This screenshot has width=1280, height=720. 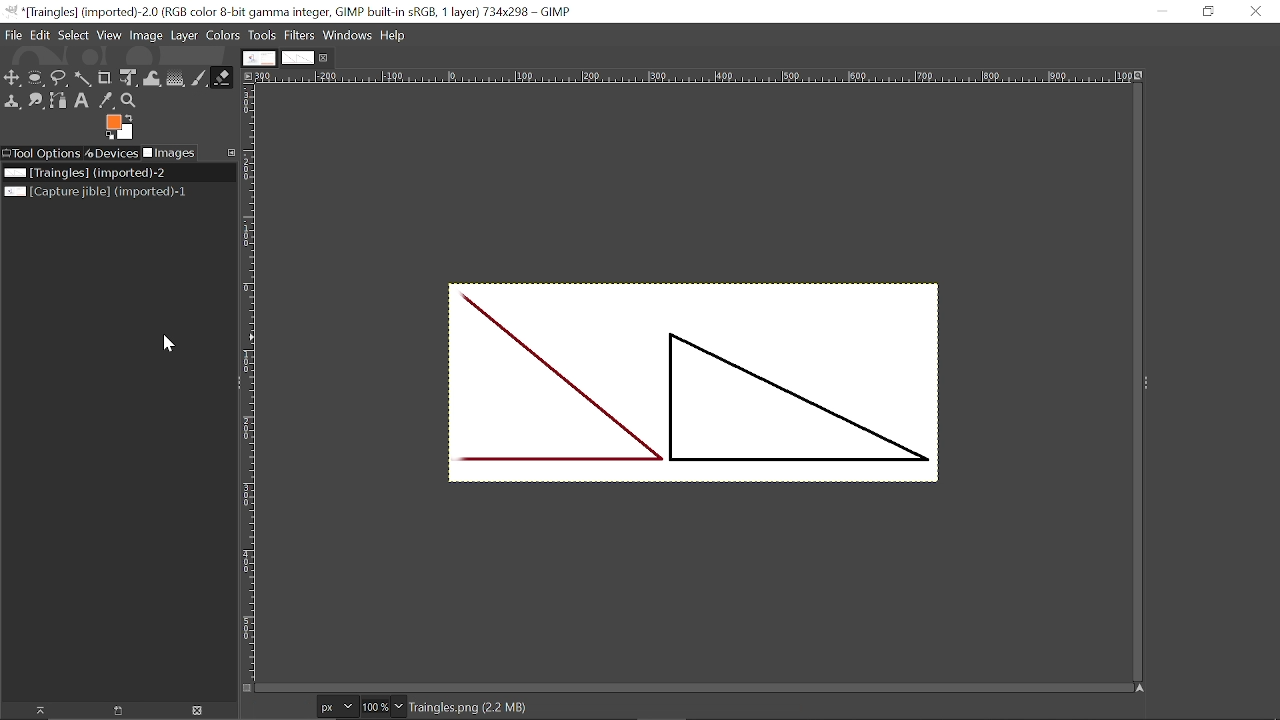 I want to click on Free select tool, so click(x=58, y=79).